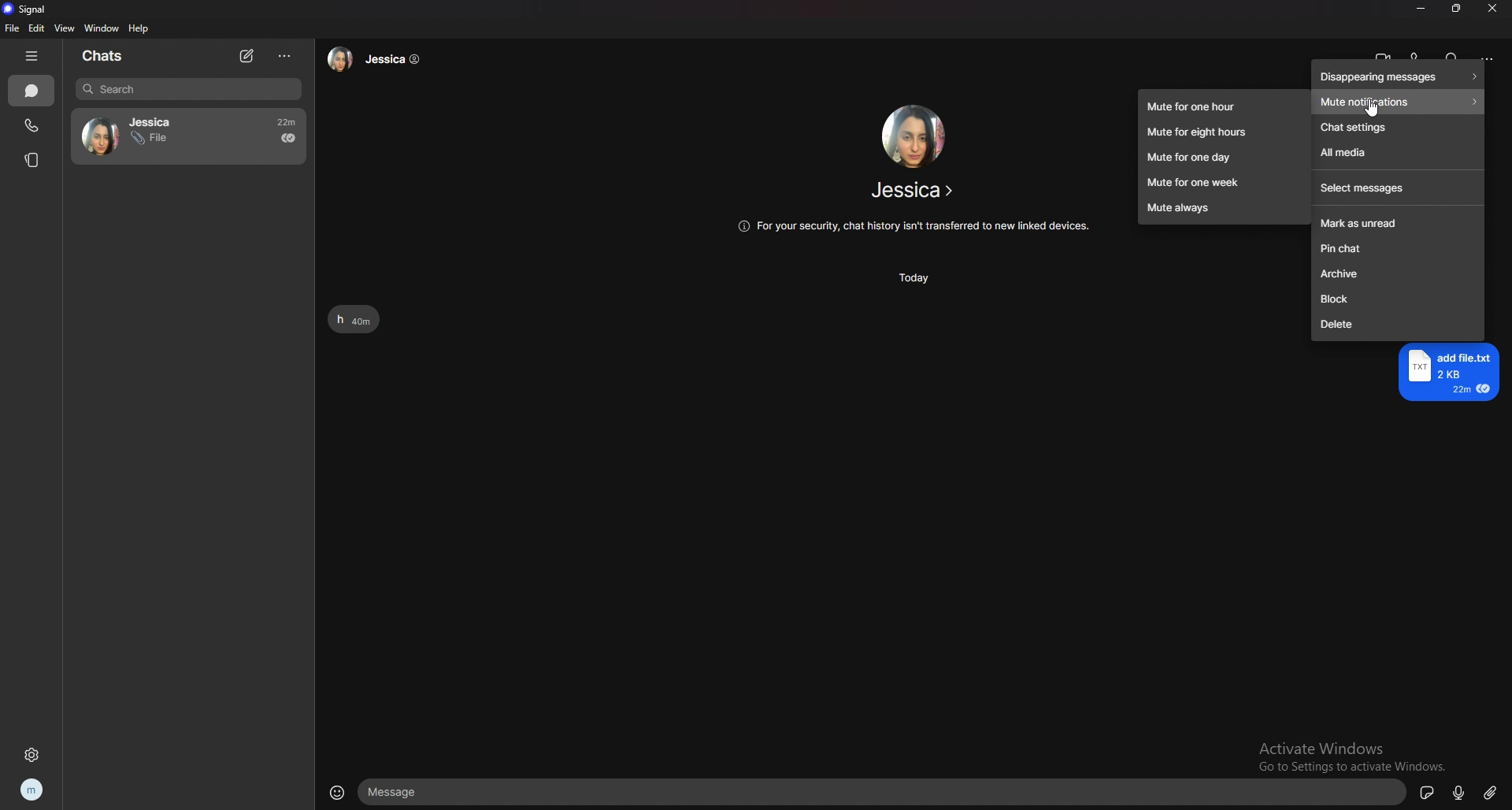  Describe the element at coordinates (1492, 9) in the screenshot. I see `close` at that location.